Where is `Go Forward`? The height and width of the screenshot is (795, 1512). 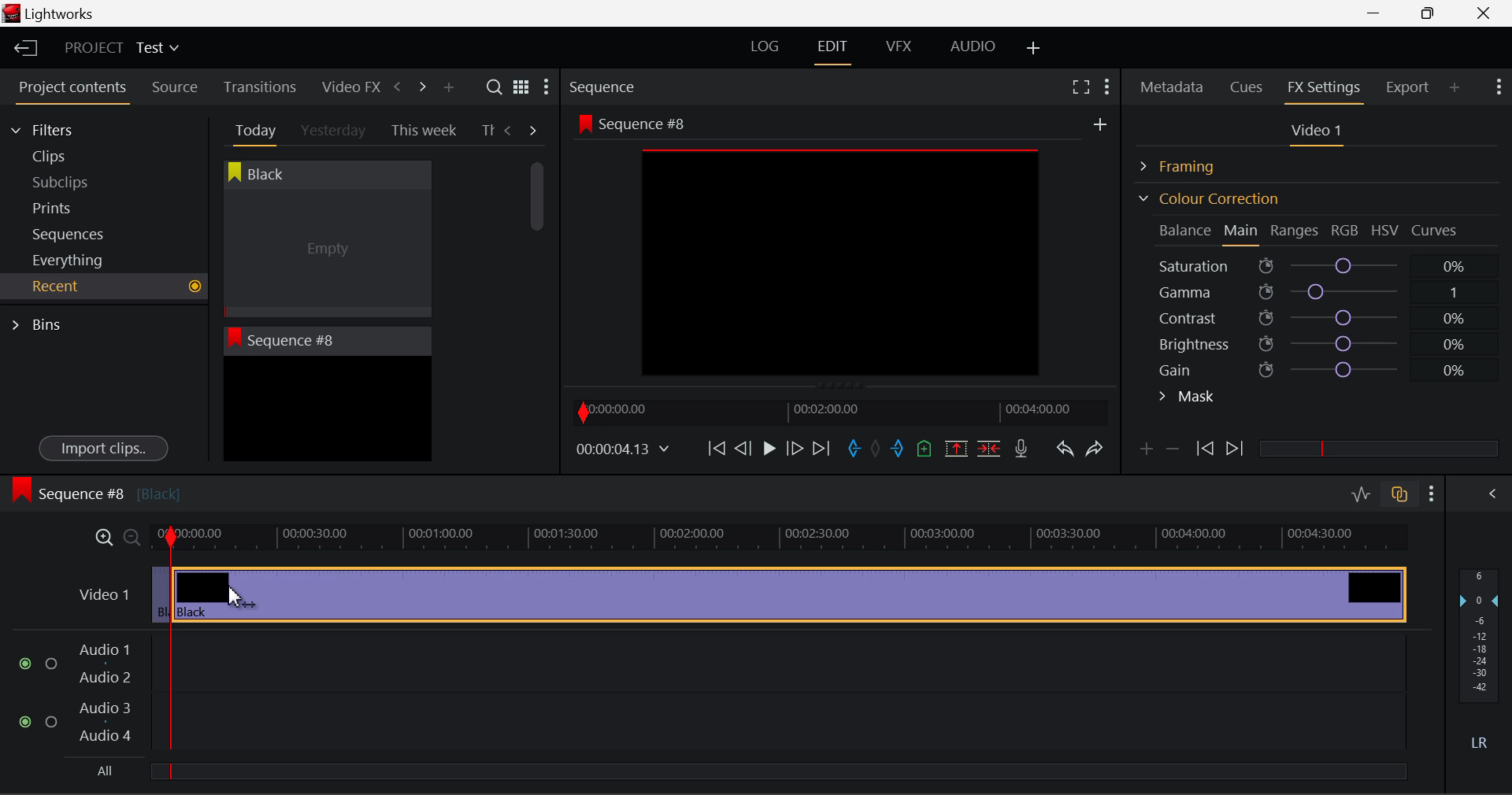 Go Forward is located at coordinates (795, 448).